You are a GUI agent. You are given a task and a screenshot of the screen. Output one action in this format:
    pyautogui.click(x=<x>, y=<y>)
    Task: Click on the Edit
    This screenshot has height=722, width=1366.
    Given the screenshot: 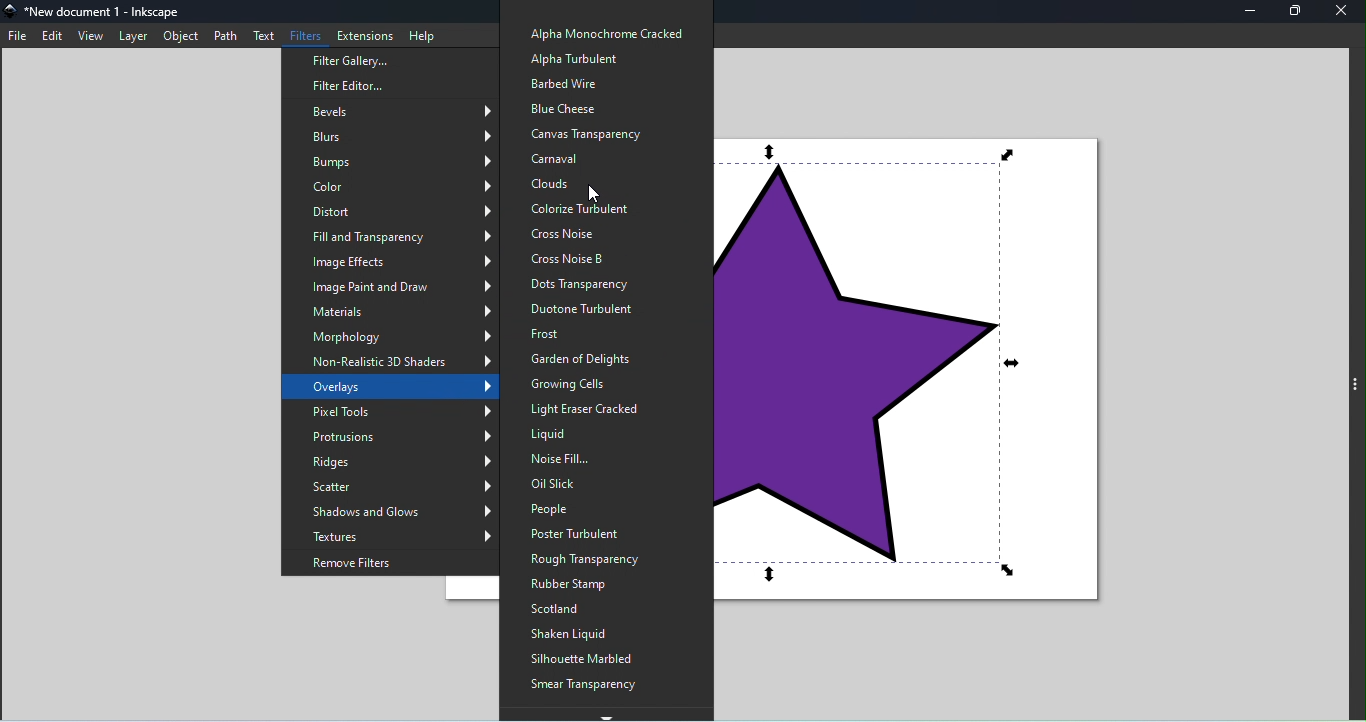 What is the action you would take?
    pyautogui.click(x=52, y=35)
    